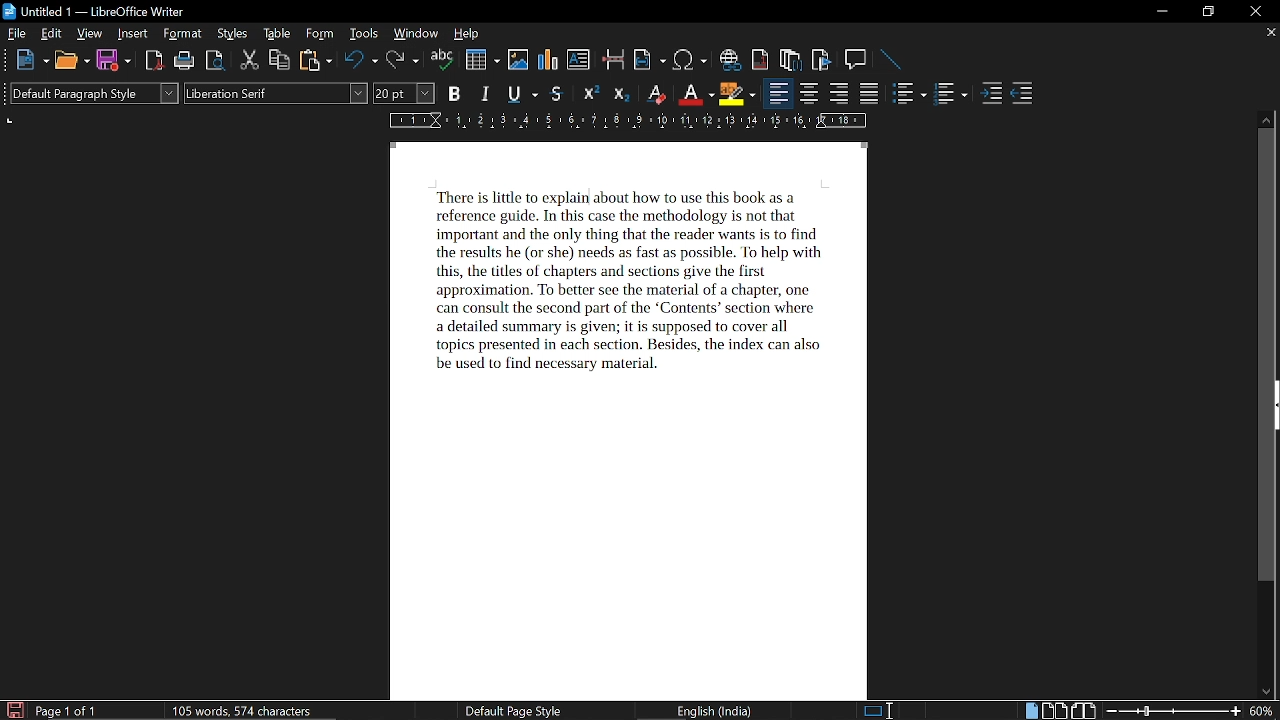 The image size is (1280, 720). I want to click on format, so click(184, 35).